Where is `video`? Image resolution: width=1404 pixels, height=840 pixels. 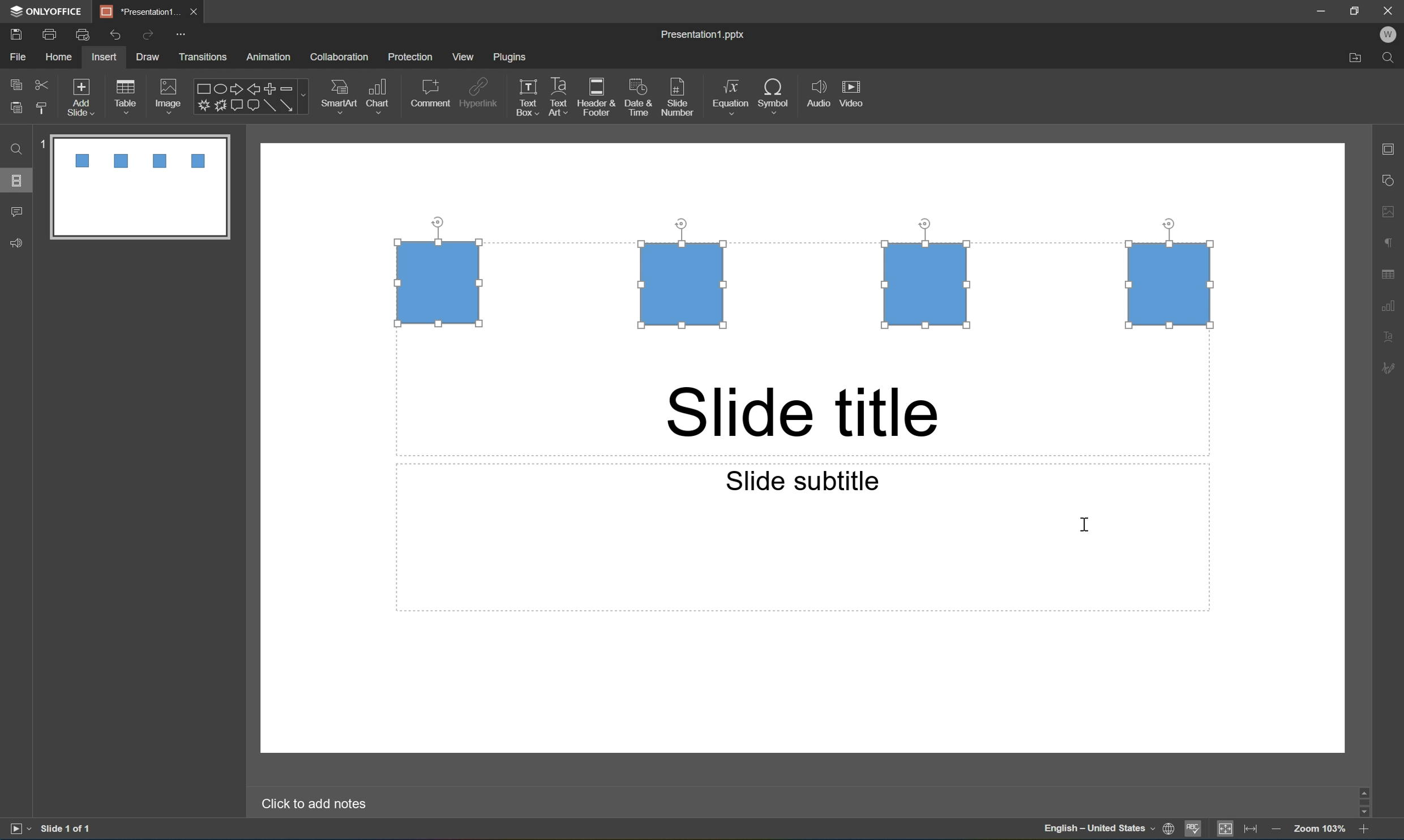
video is located at coordinates (855, 93).